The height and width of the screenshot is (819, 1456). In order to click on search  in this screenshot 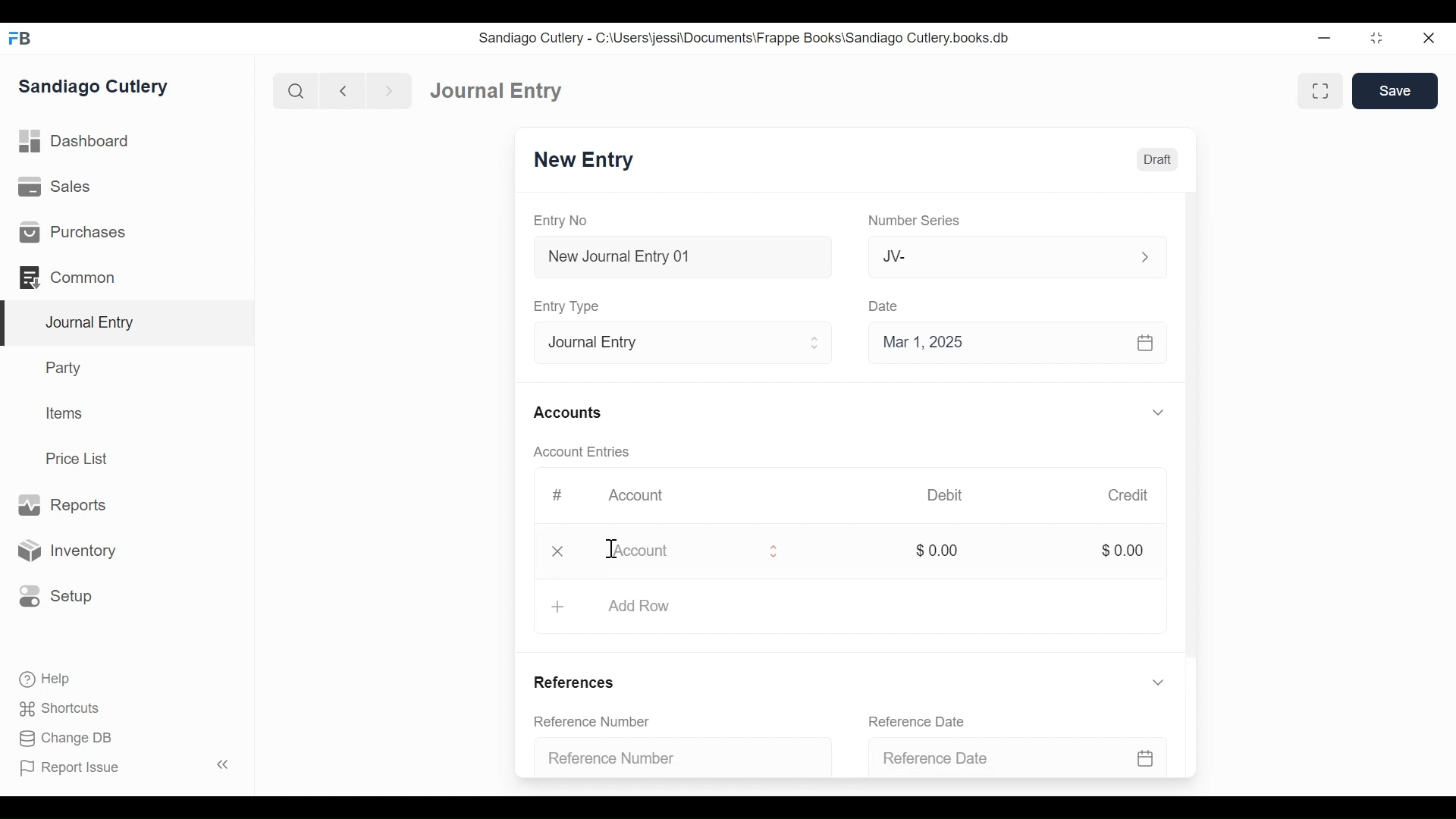, I will do `click(293, 88)`.